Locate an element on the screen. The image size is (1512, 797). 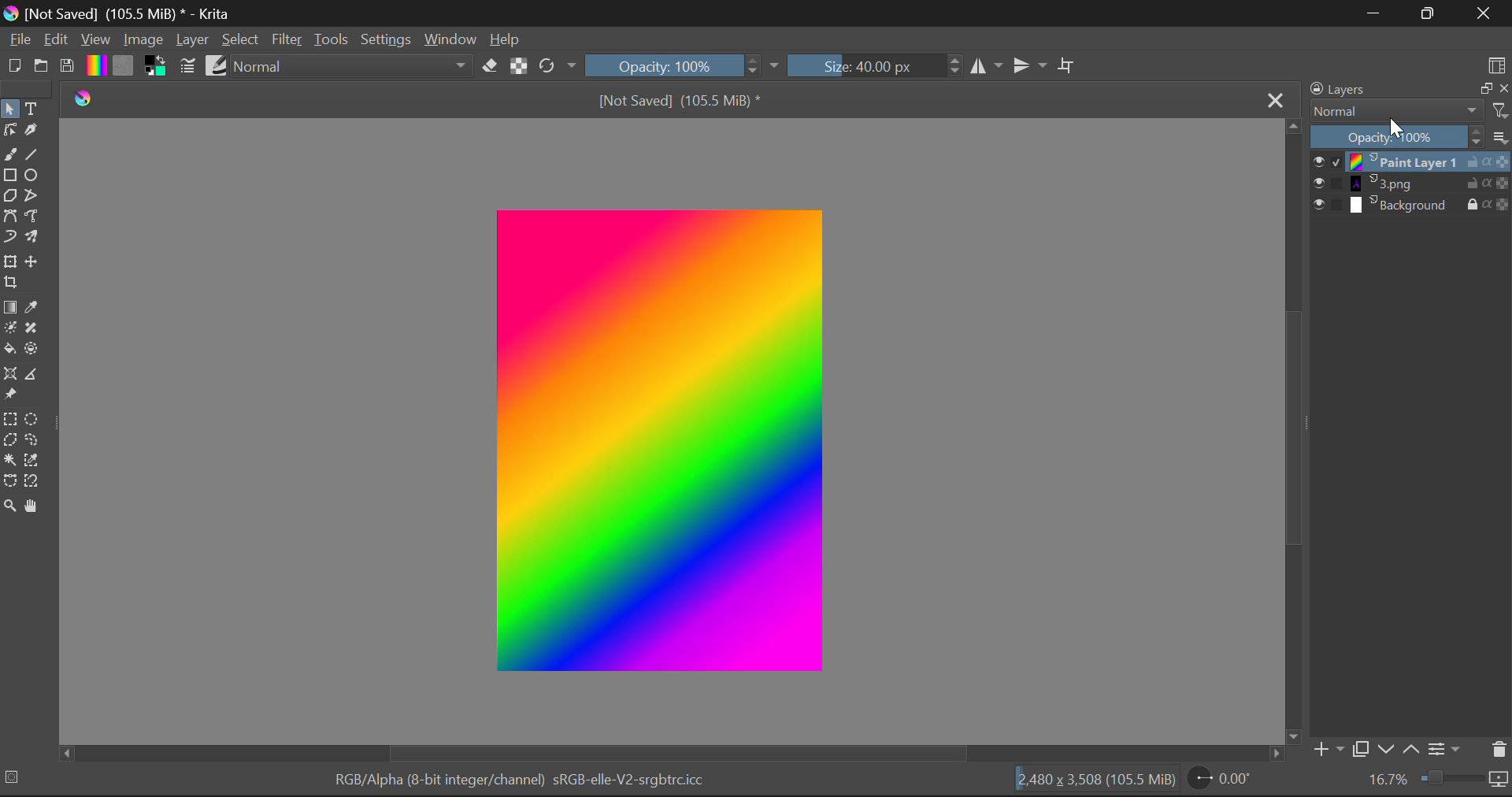
Open is located at coordinates (44, 65).